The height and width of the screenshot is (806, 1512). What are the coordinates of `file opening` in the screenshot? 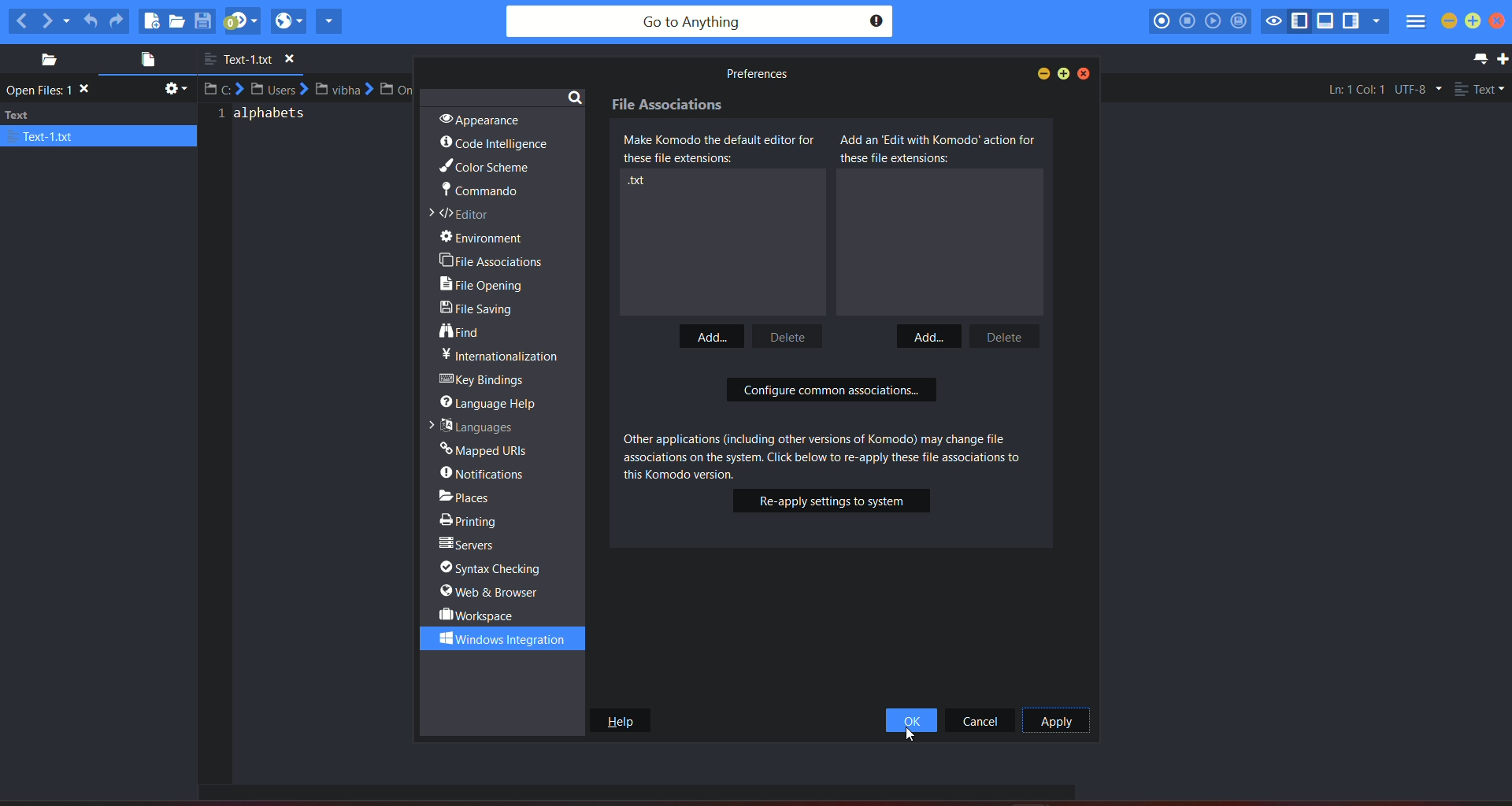 It's located at (487, 286).